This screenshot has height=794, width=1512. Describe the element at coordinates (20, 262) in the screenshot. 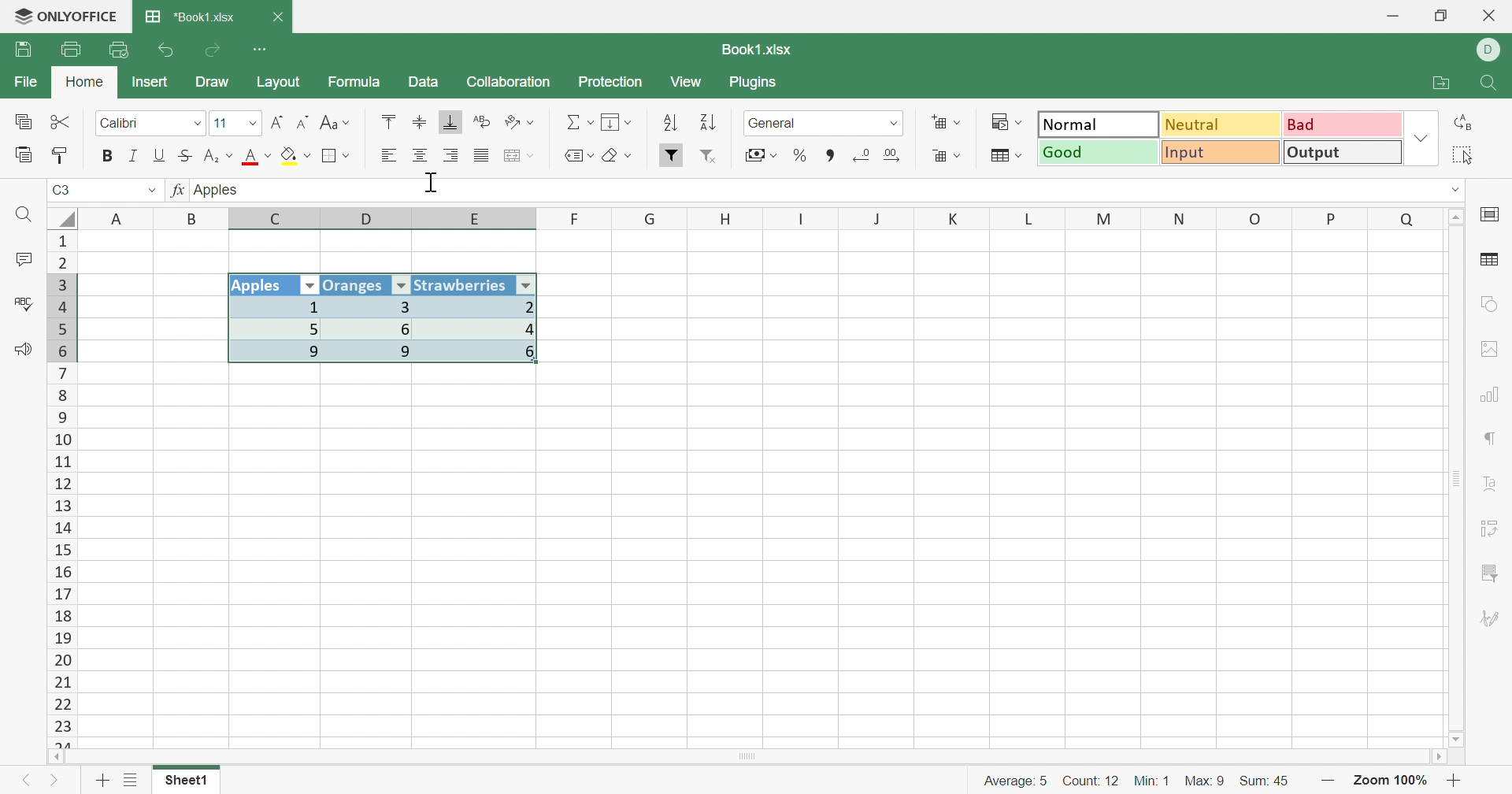

I see `Comments` at that location.